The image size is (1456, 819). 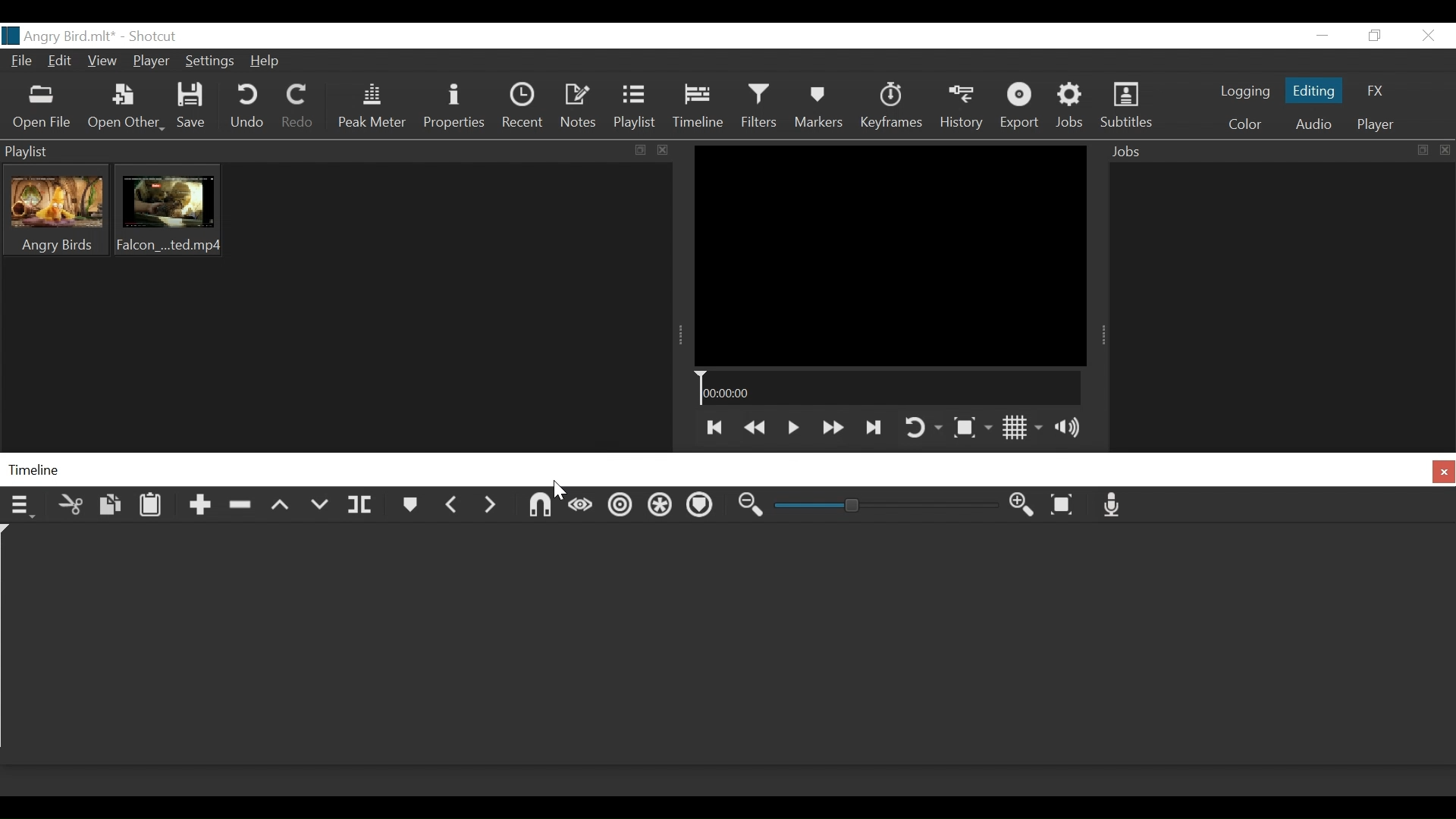 What do you see at coordinates (213, 61) in the screenshot?
I see `Settings` at bounding box center [213, 61].